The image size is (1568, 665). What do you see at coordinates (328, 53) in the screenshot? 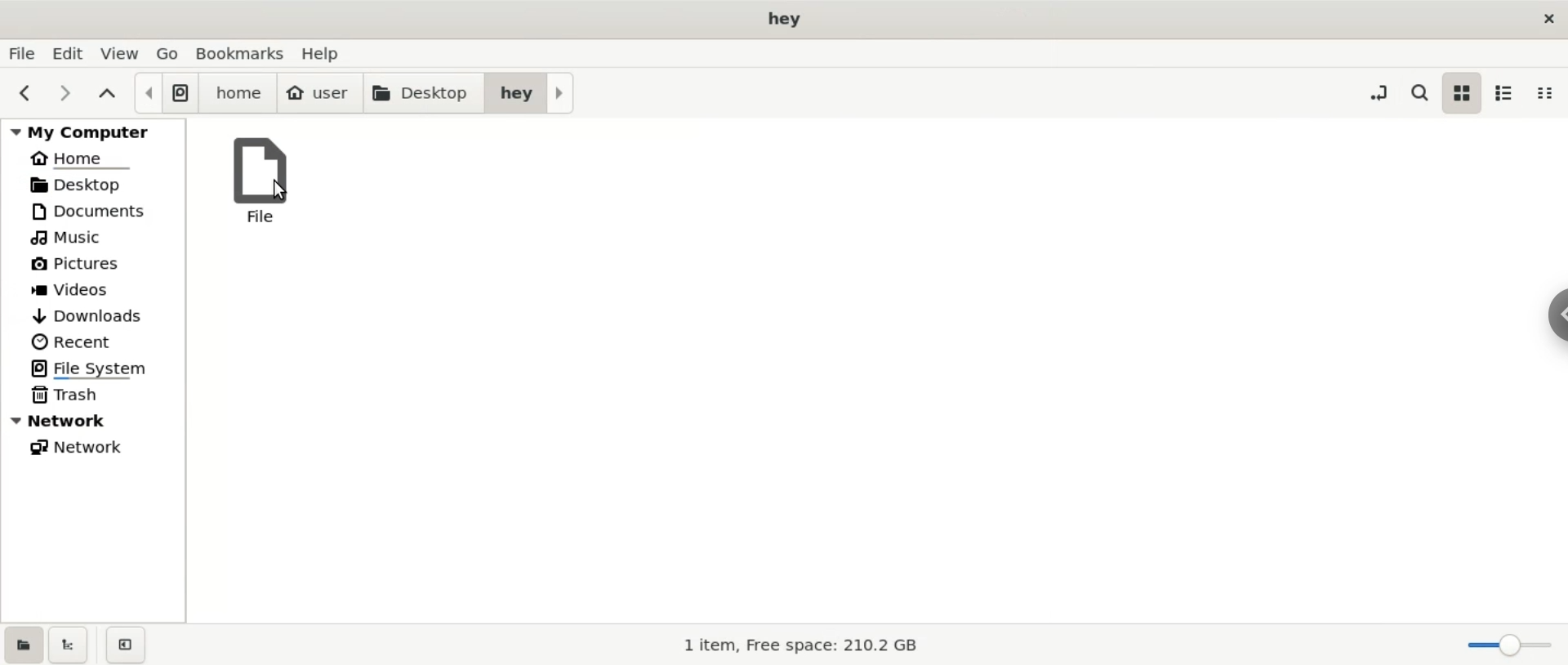
I see `help` at bounding box center [328, 53].